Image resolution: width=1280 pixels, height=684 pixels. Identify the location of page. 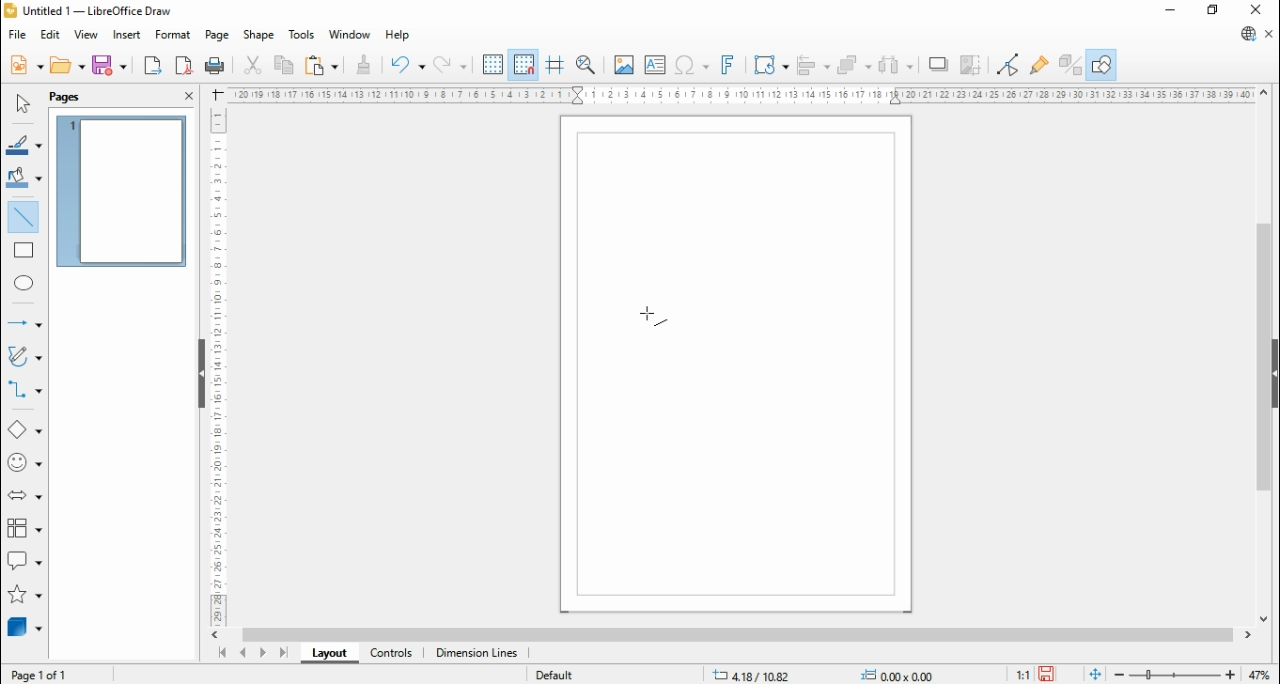
(215, 35).